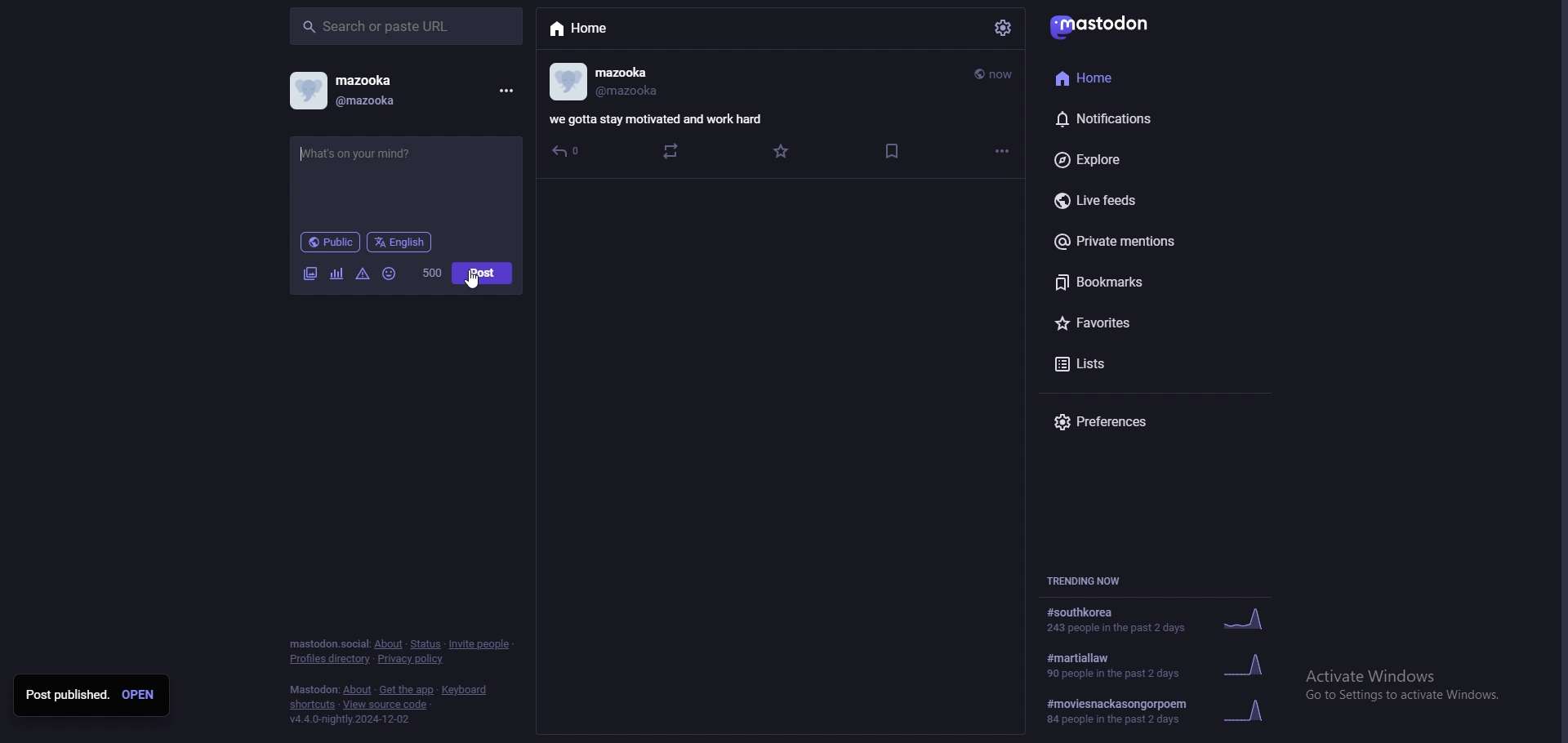 The height and width of the screenshot is (743, 1568). What do you see at coordinates (1164, 621) in the screenshot?
I see `trending` at bounding box center [1164, 621].